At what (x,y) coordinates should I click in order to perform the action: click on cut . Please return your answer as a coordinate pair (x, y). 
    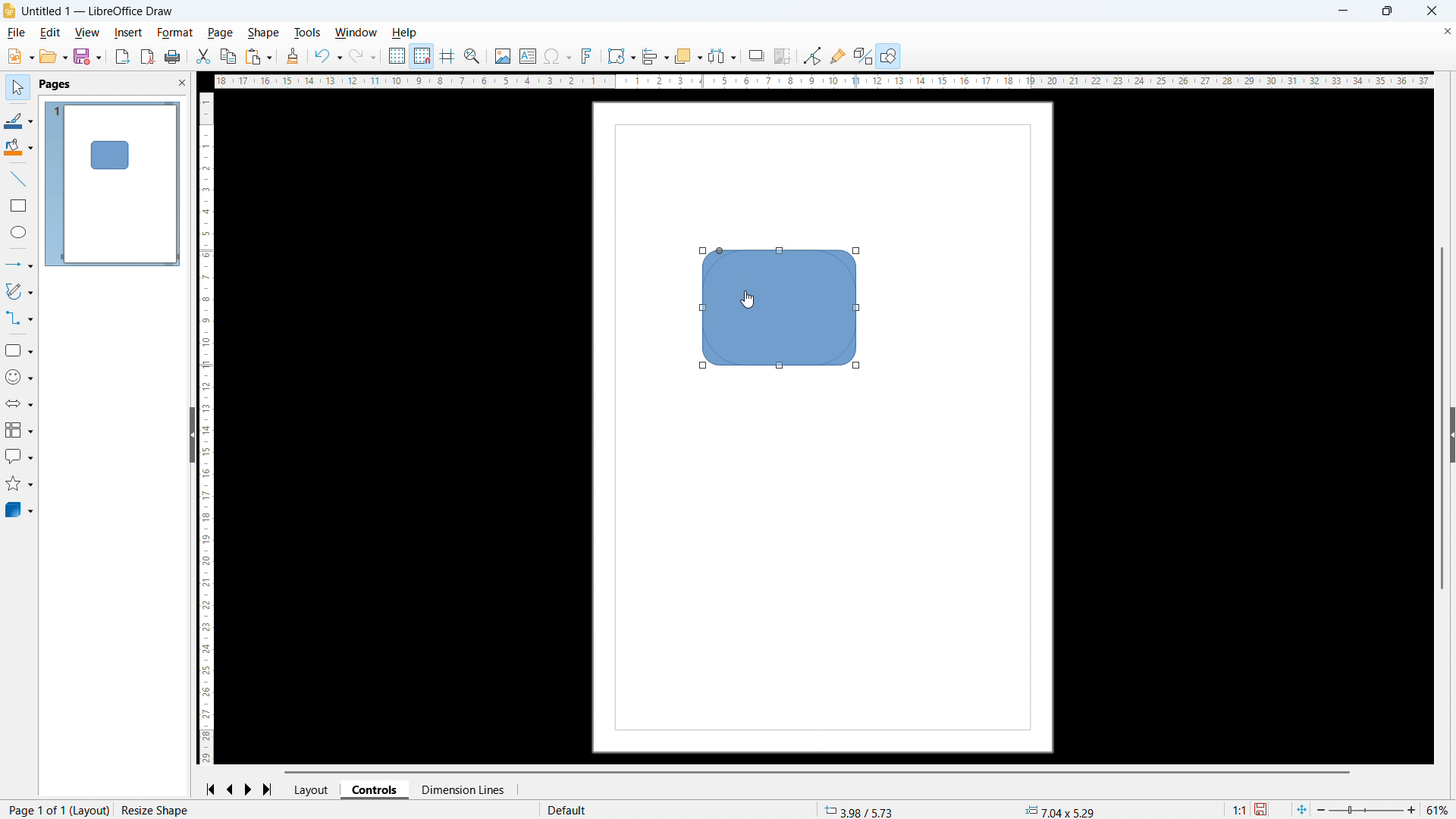
    Looking at the image, I should click on (202, 57).